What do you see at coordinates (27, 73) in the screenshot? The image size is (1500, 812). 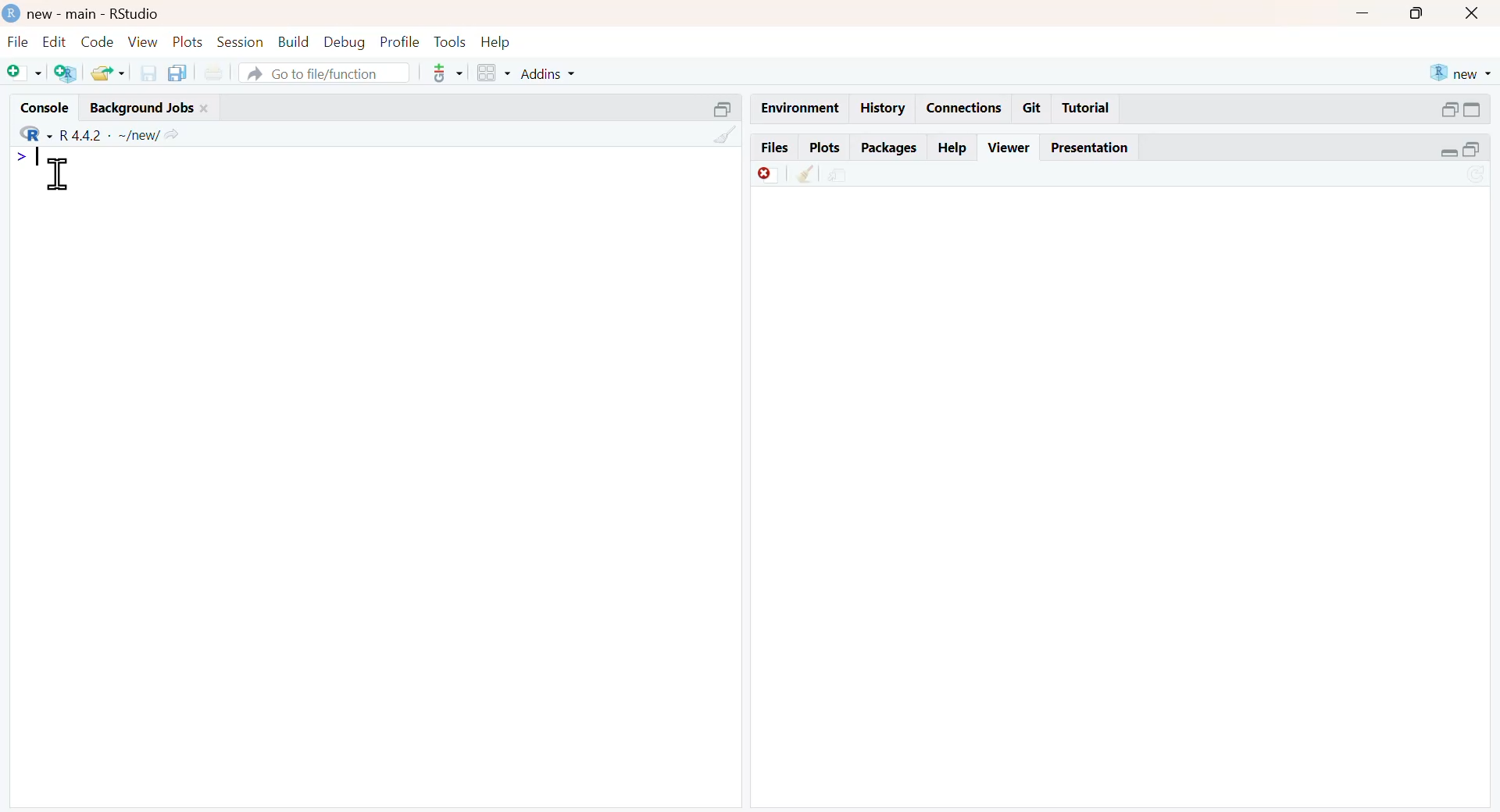 I see `add file as` at bounding box center [27, 73].